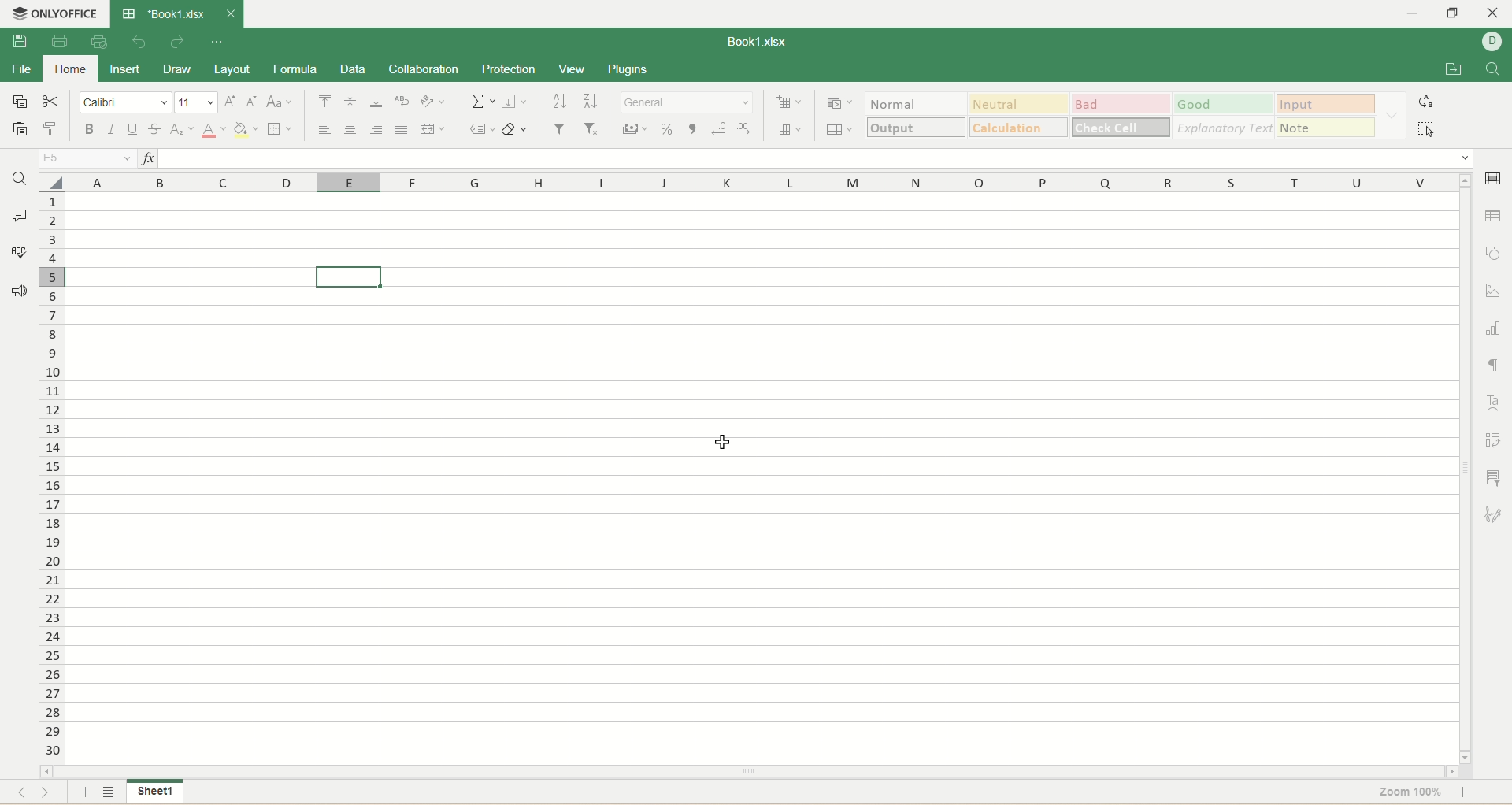 This screenshot has width=1512, height=805. Describe the element at coordinates (764, 43) in the screenshot. I see `book1.xlsx` at that location.